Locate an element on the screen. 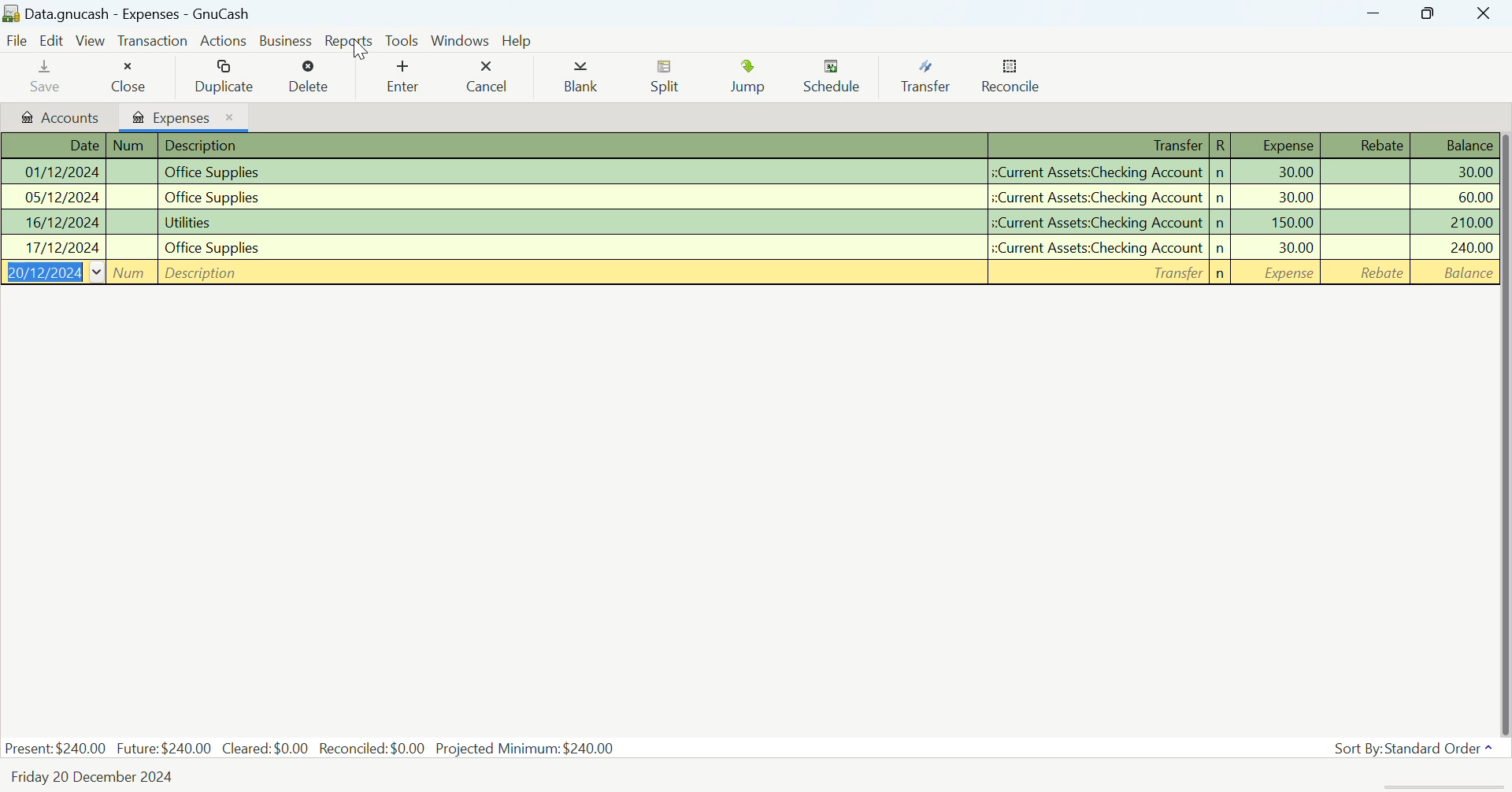 The width and height of the screenshot is (1512, 792). Reports is located at coordinates (350, 38).